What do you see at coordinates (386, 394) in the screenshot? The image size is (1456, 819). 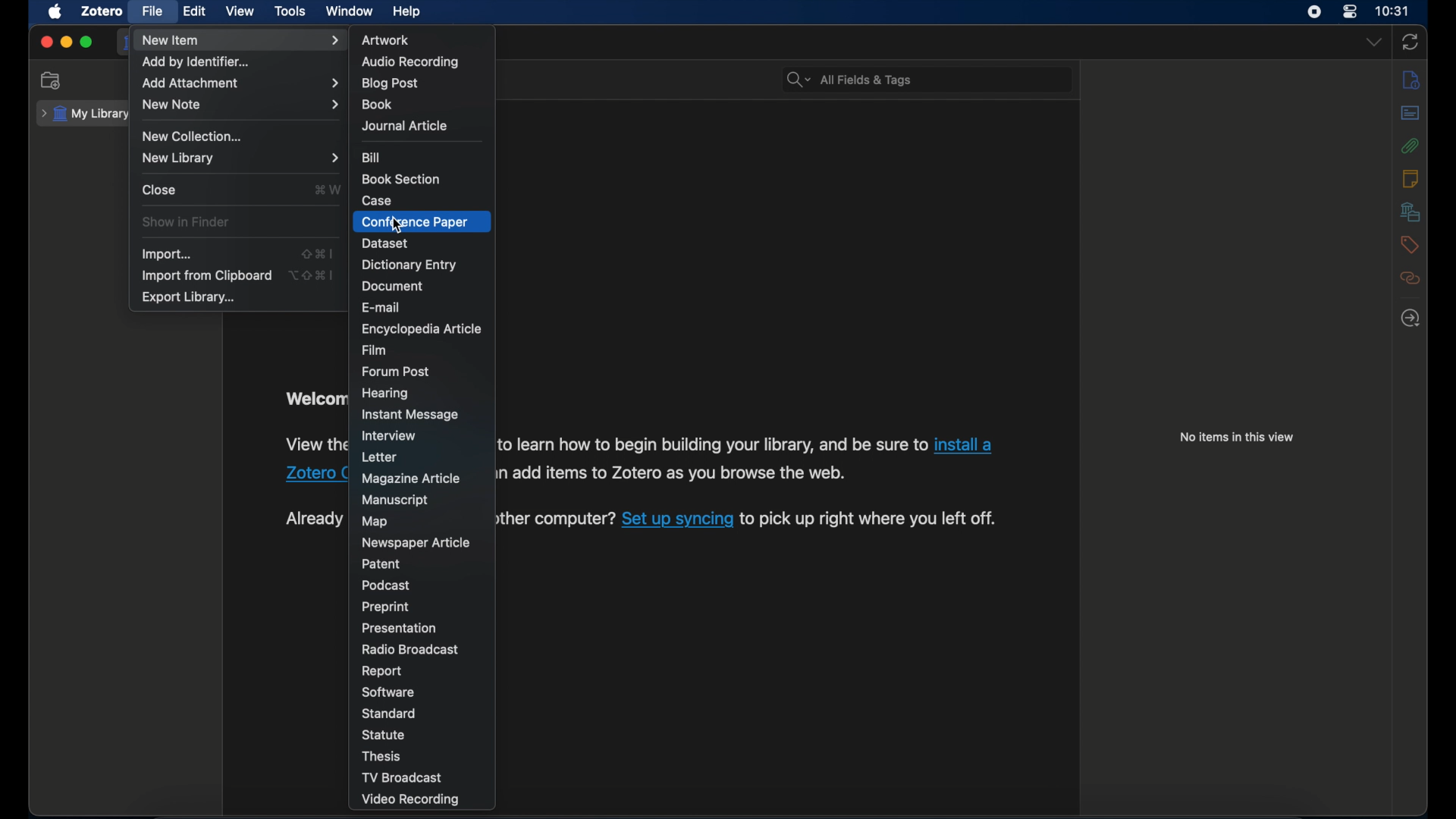 I see `hearing` at bounding box center [386, 394].